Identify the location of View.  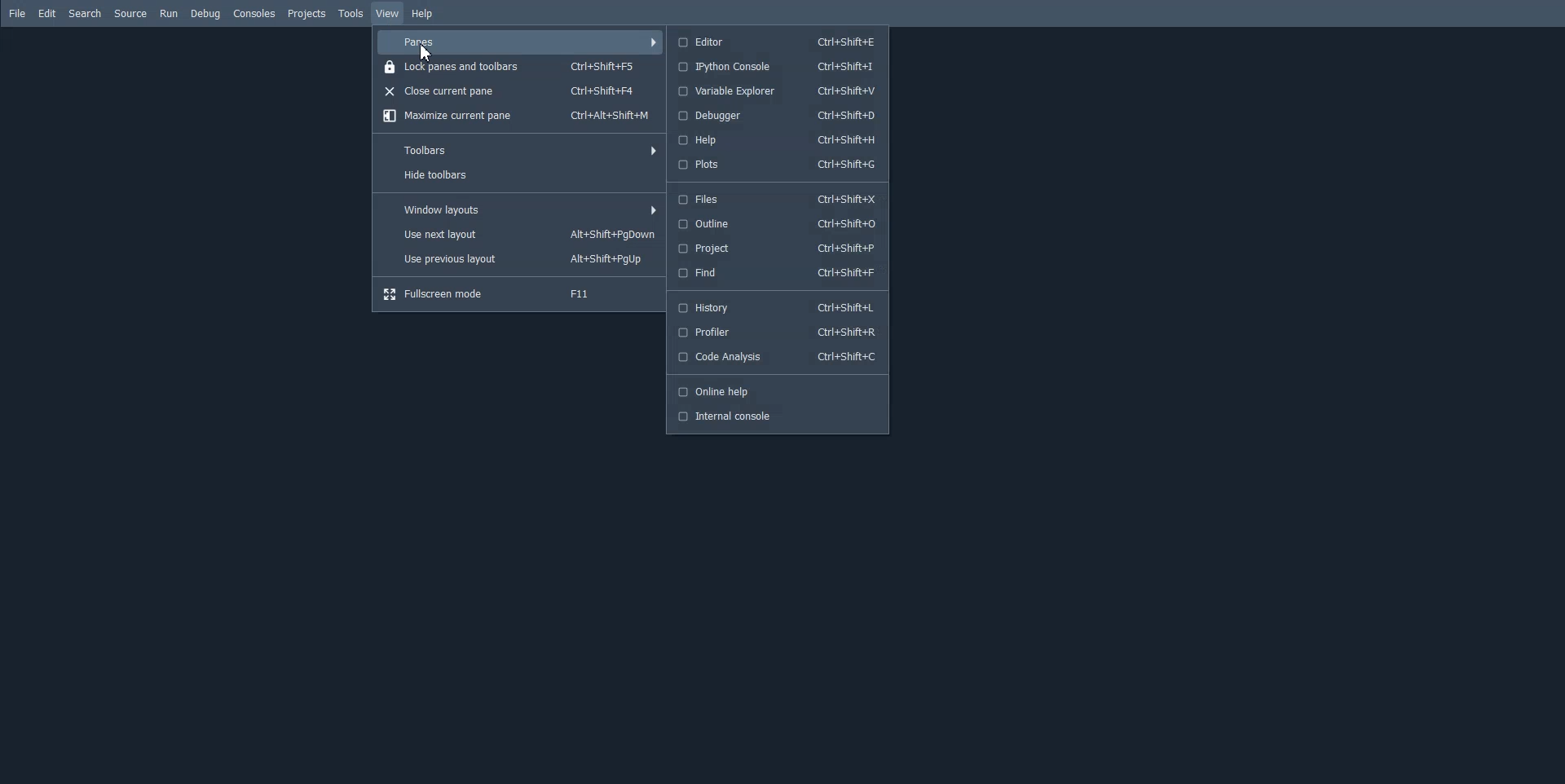
(388, 13).